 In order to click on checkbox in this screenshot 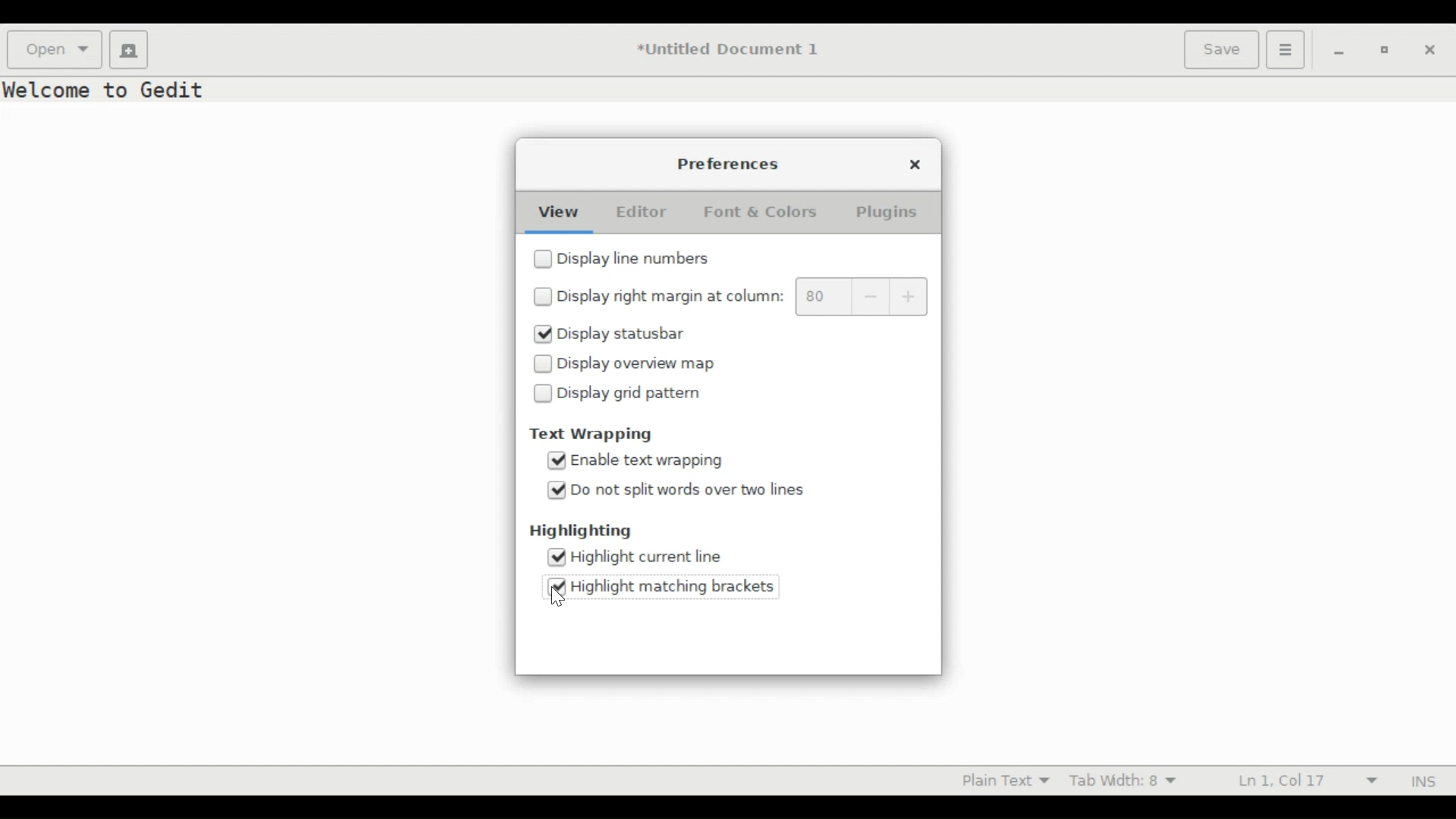, I will do `click(544, 393)`.